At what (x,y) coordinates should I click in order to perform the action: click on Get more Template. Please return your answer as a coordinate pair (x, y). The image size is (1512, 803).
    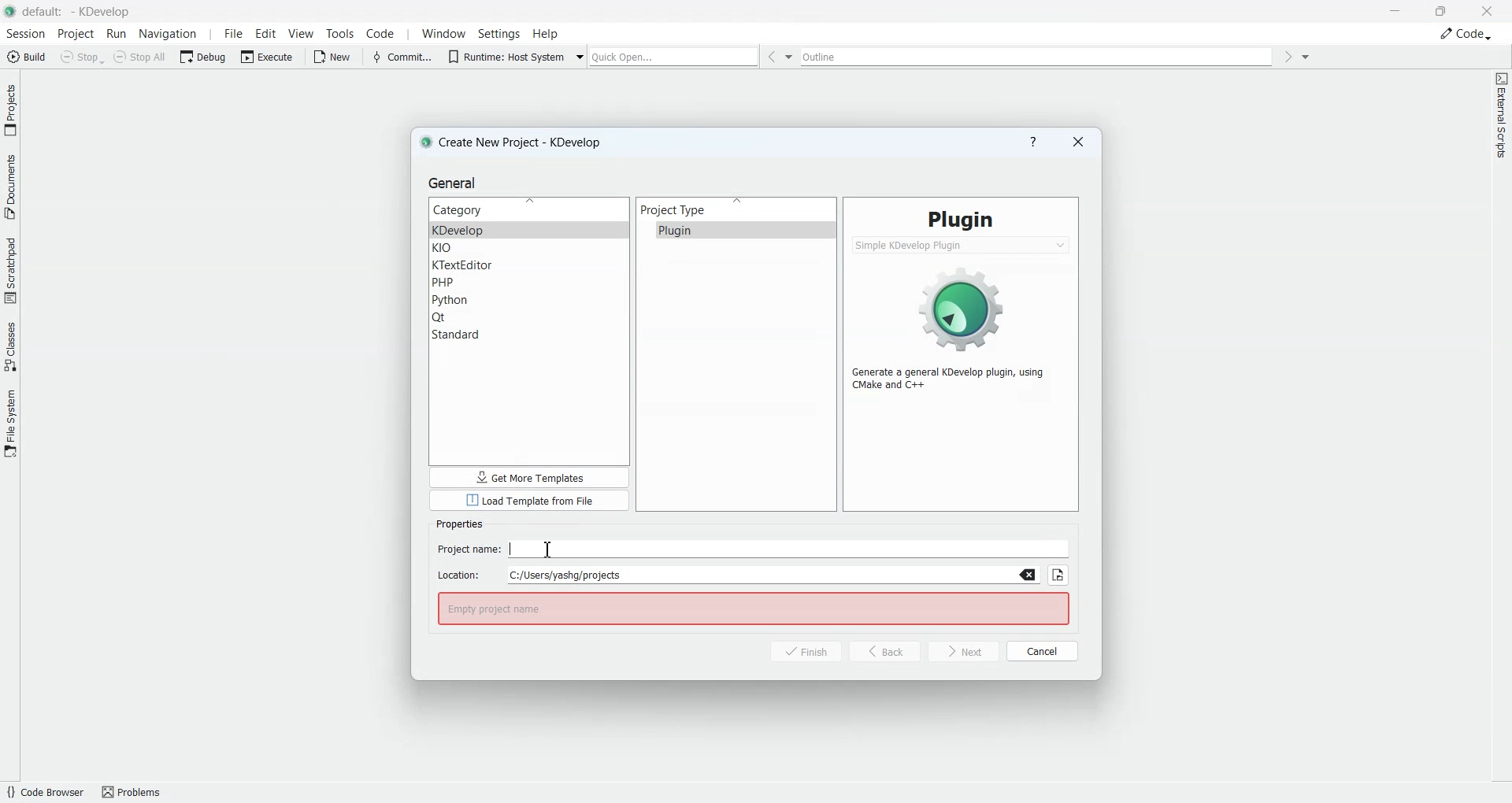
    Looking at the image, I should click on (529, 477).